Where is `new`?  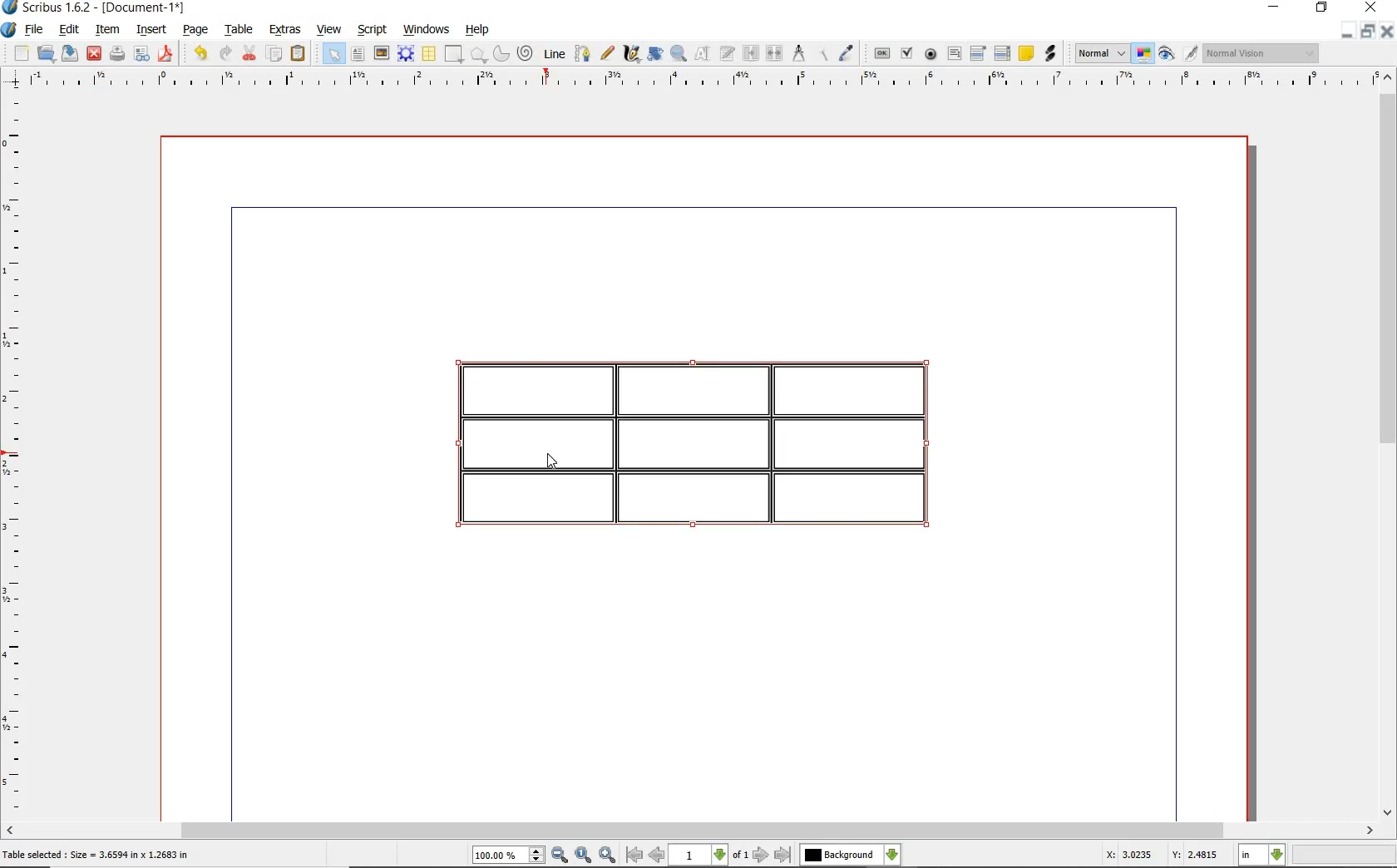
new is located at coordinates (20, 53).